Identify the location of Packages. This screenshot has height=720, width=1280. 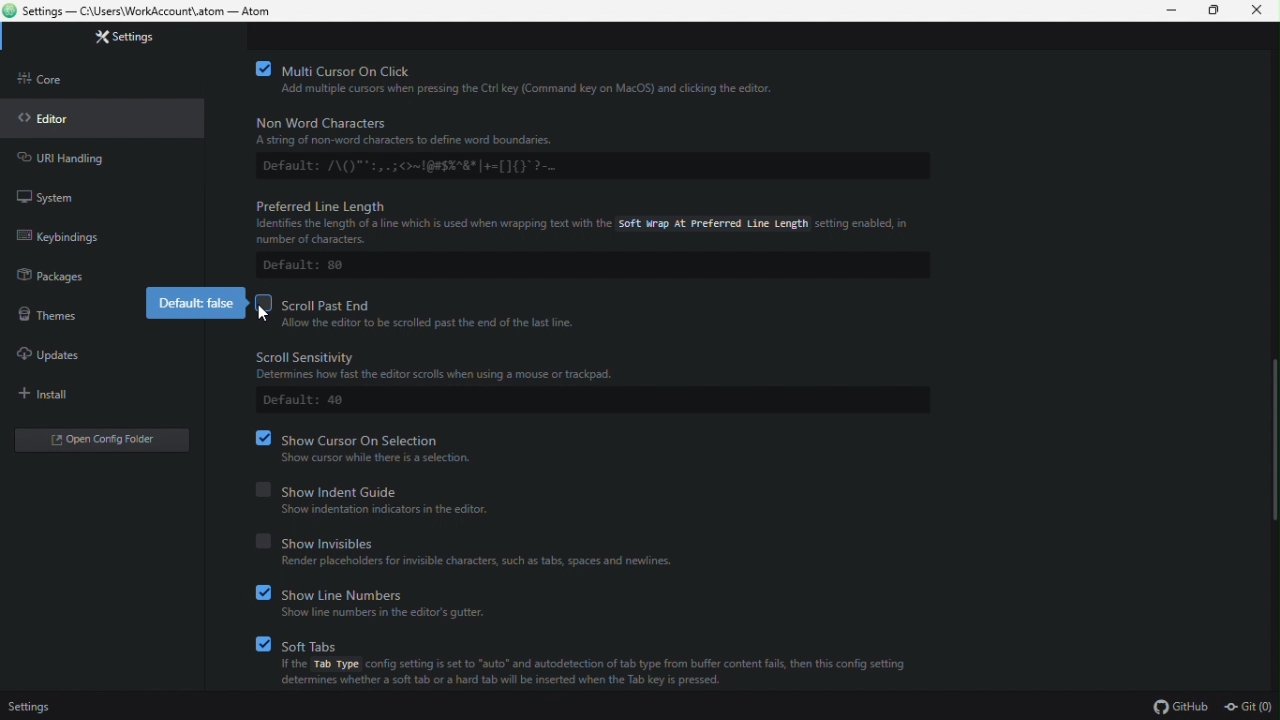
(59, 279).